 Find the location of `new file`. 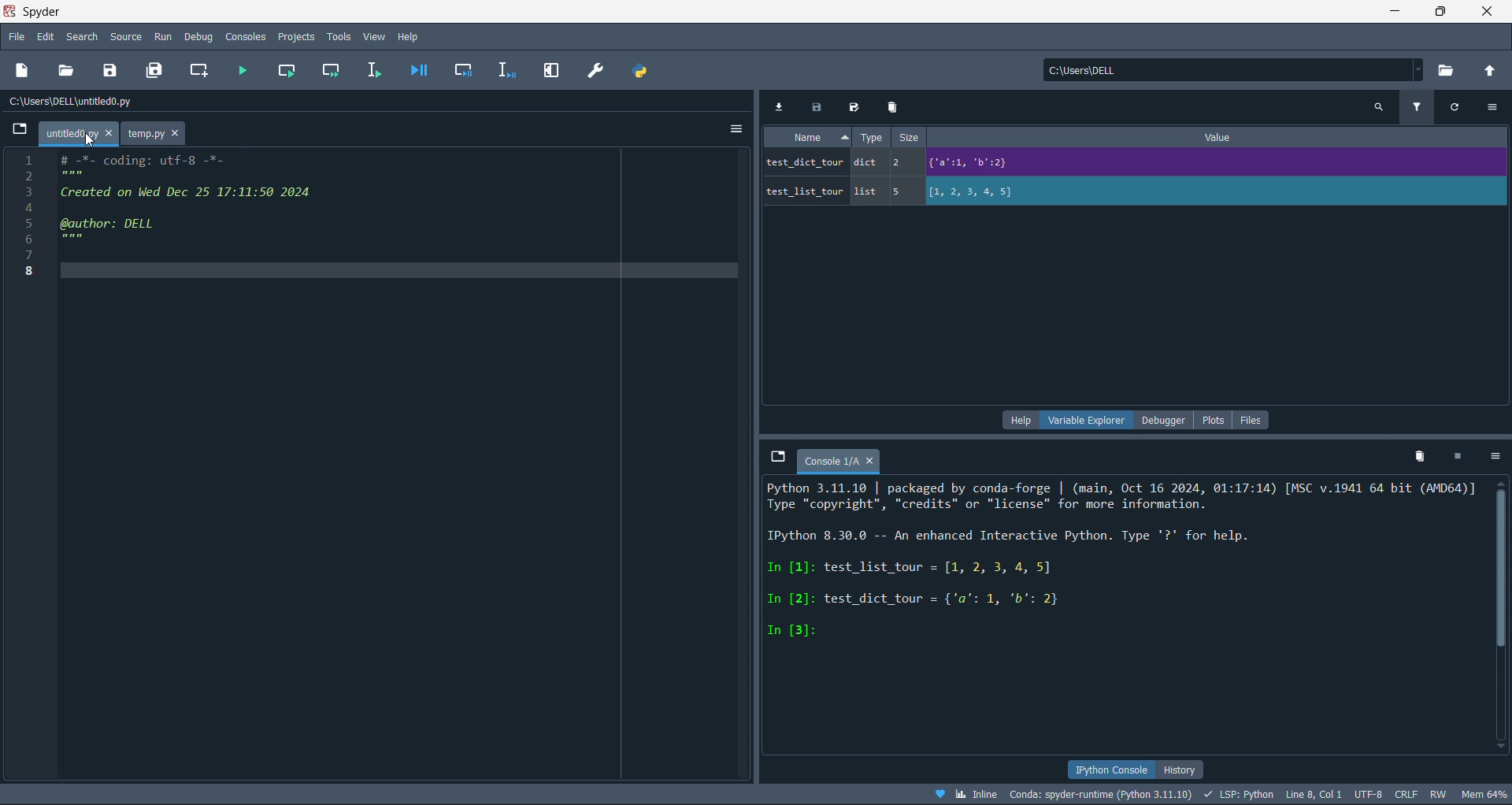

new file is located at coordinates (22, 72).